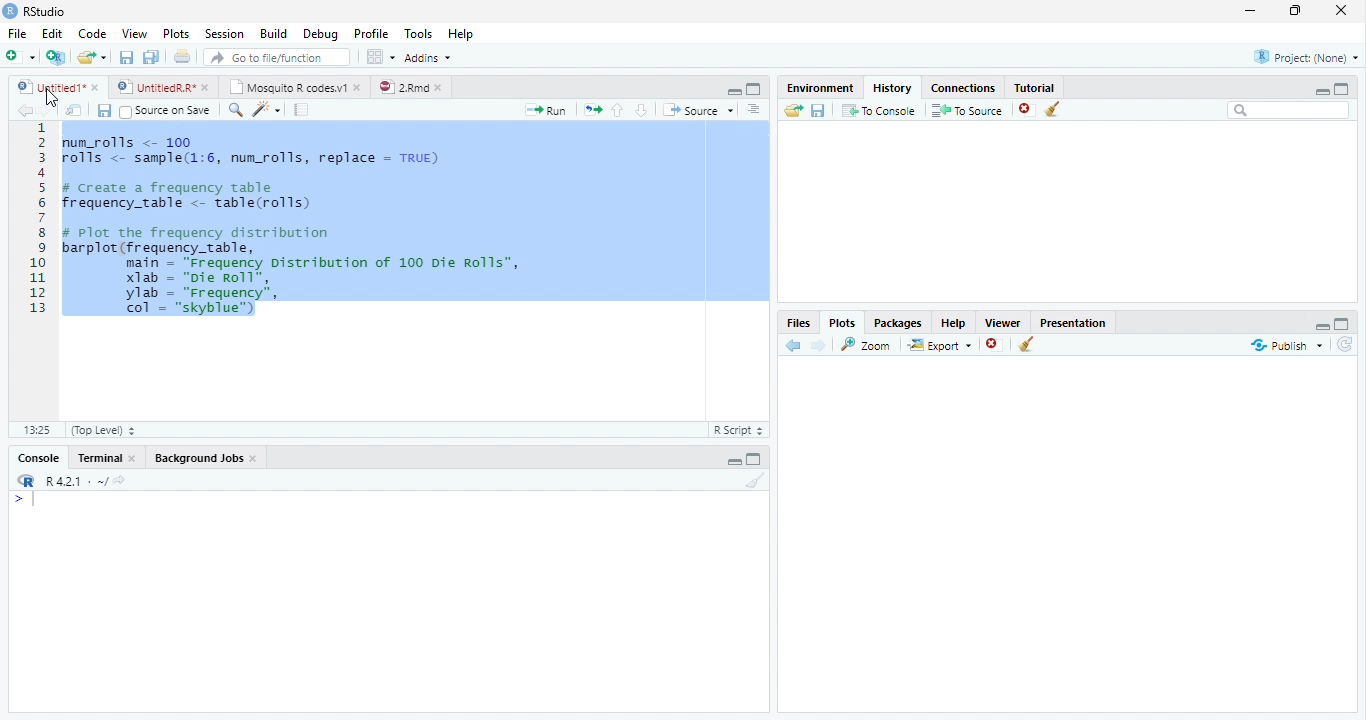 The image size is (1366, 720). Describe the element at coordinates (1034, 86) in the screenshot. I see `Tutorial` at that location.